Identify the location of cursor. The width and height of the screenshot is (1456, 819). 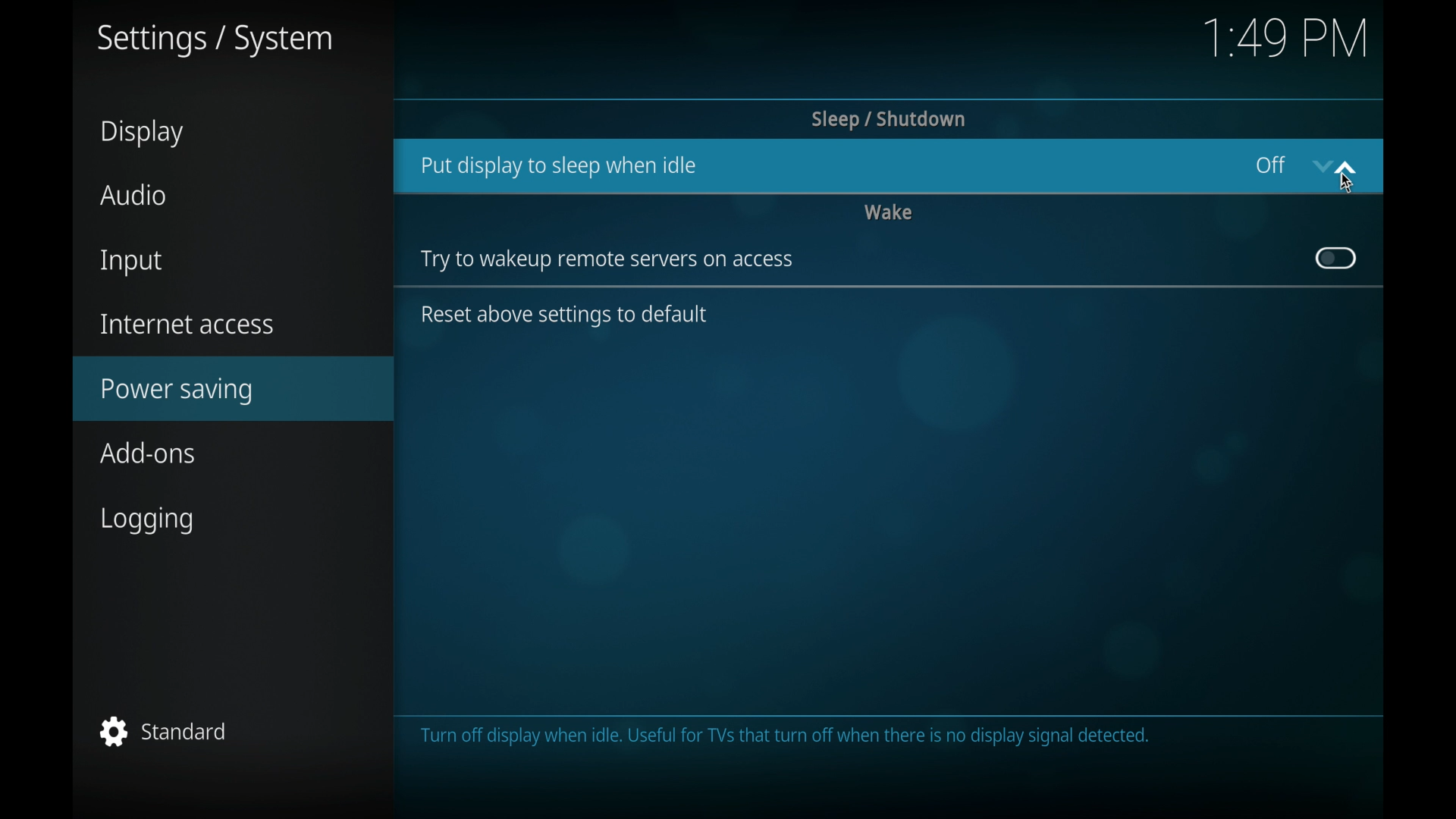
(1347, 184).